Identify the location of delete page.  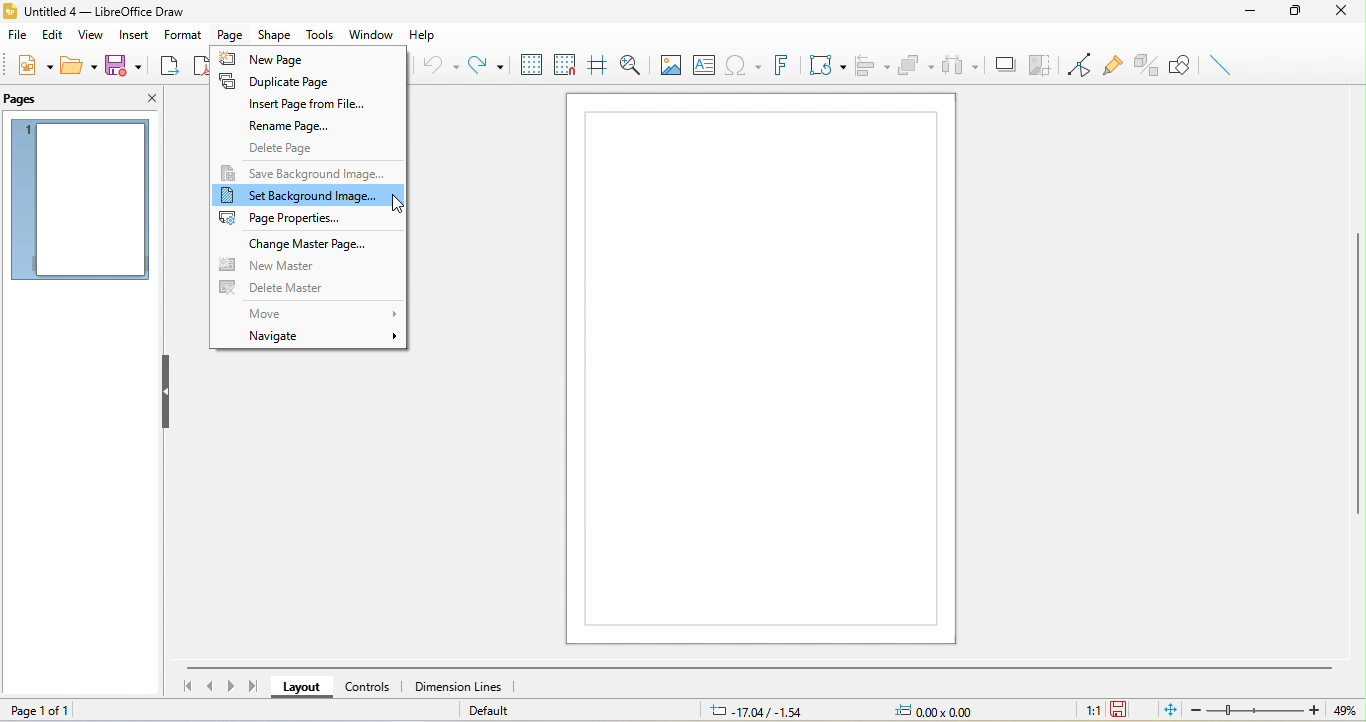
(290, 147).